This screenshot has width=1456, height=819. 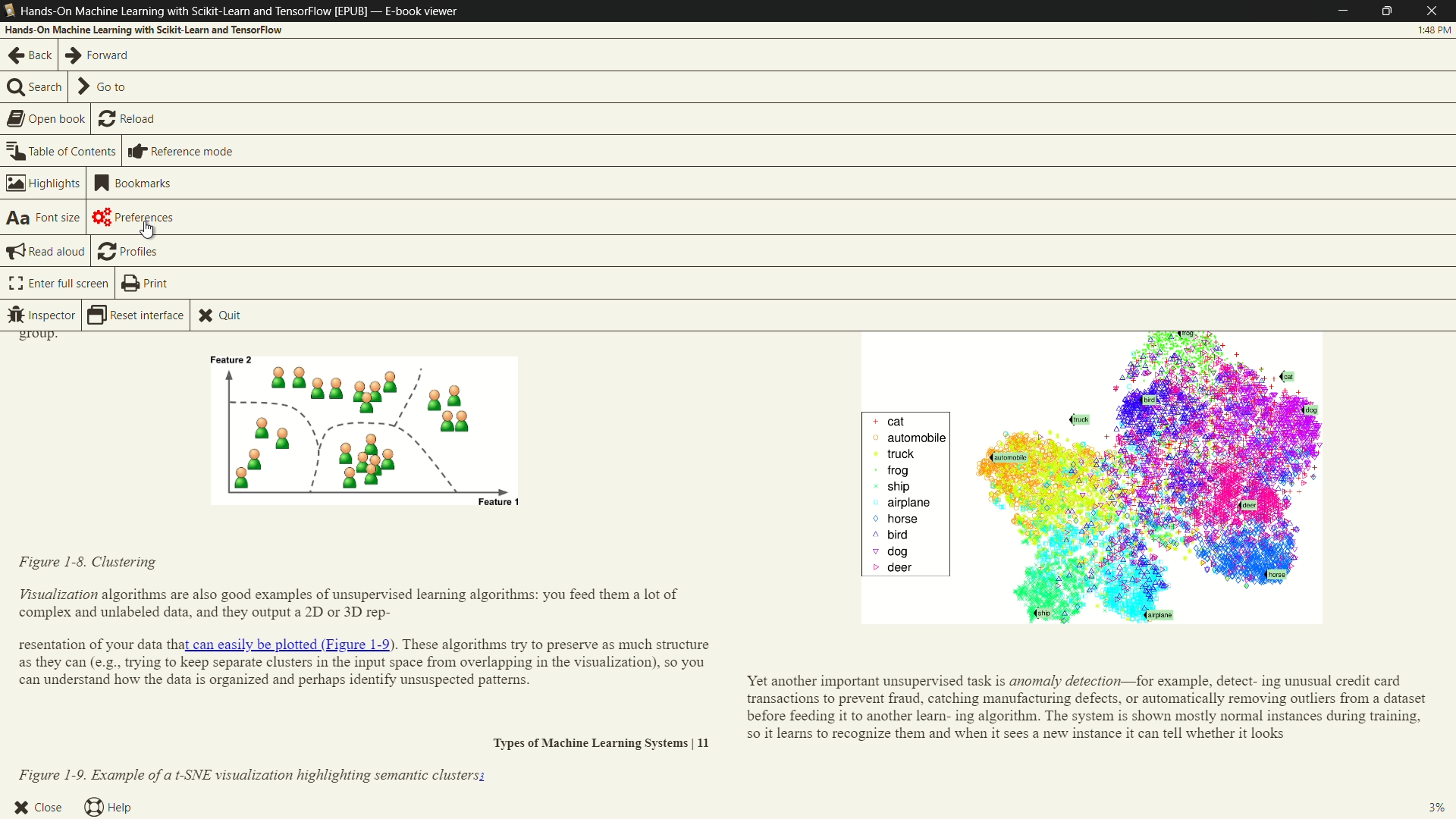 I want to click on forward, so click(x=99, y=55).